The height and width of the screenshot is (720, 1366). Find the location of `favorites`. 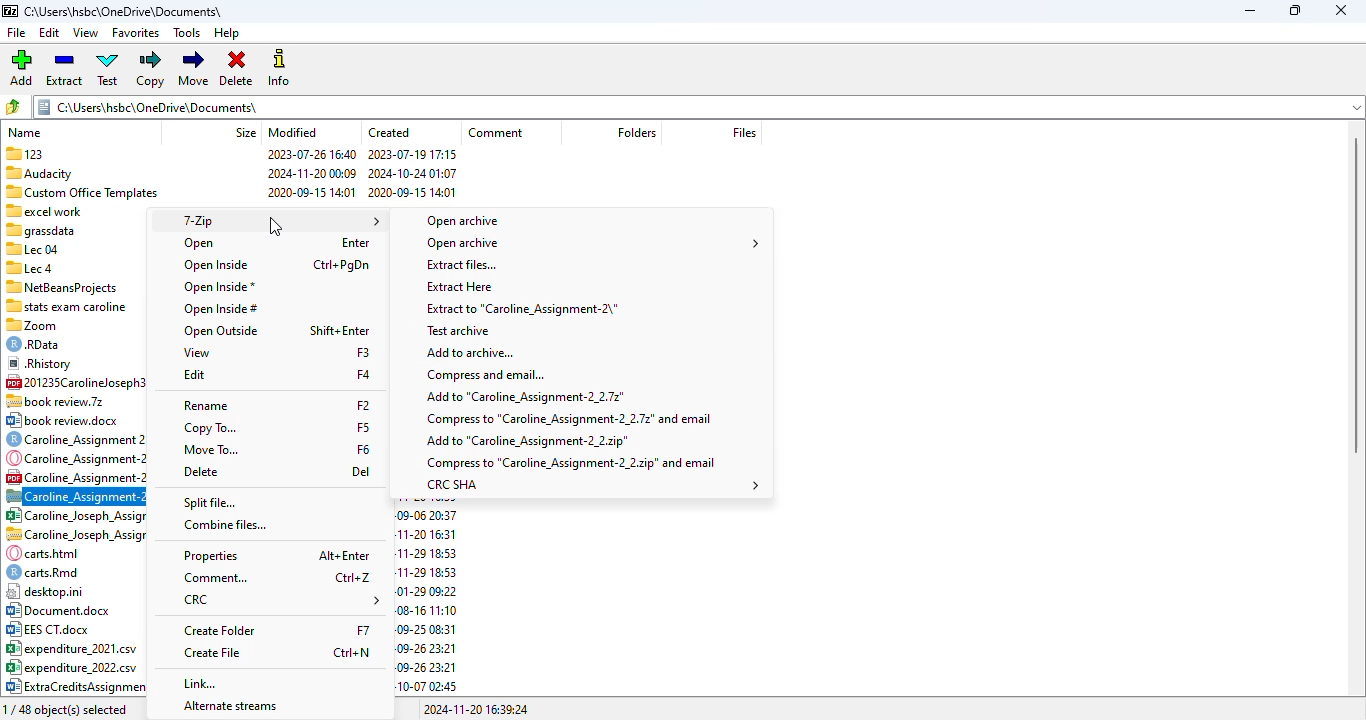

favorites is located at coordinates (136, 34).